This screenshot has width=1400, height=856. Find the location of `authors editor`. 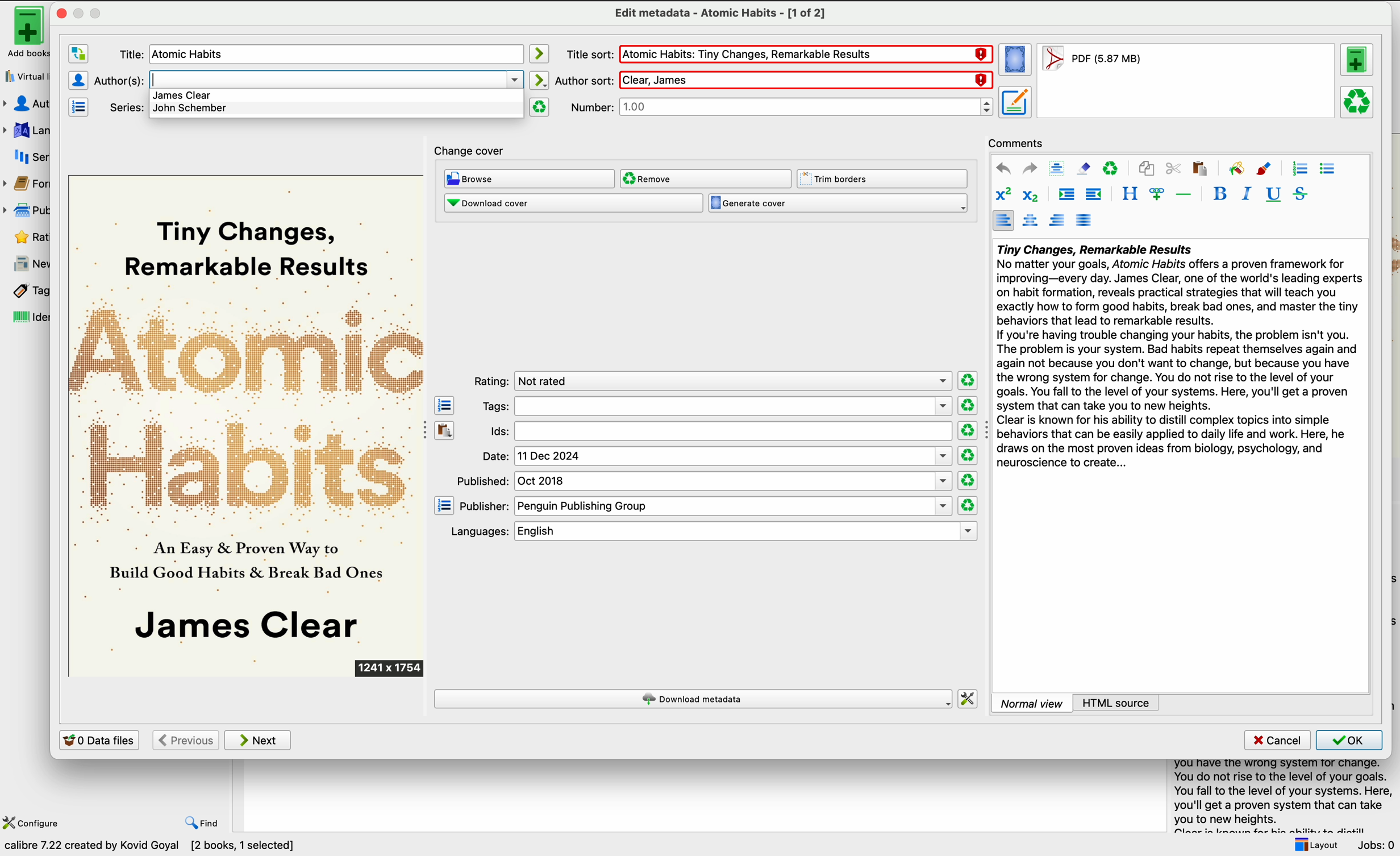

authors editor is located at coordinates (78, 80).